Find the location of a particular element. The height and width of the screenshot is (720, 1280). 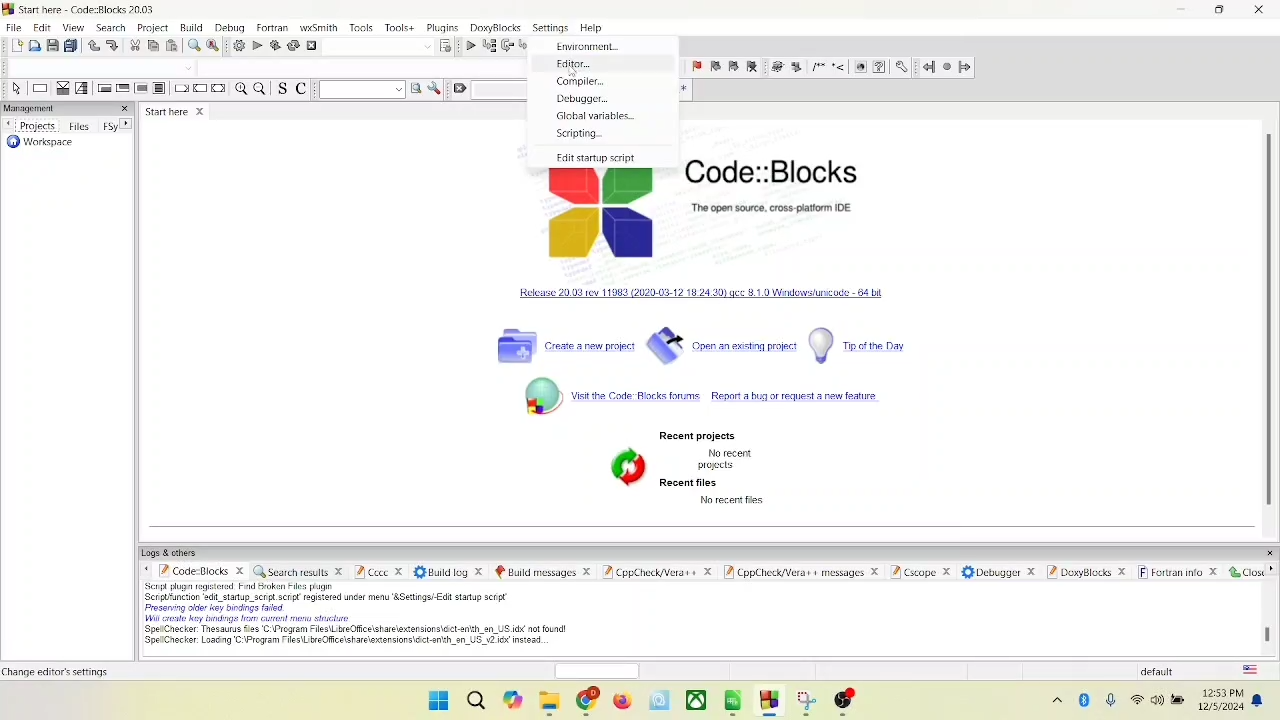

settings is located at coordinates (434, 88).